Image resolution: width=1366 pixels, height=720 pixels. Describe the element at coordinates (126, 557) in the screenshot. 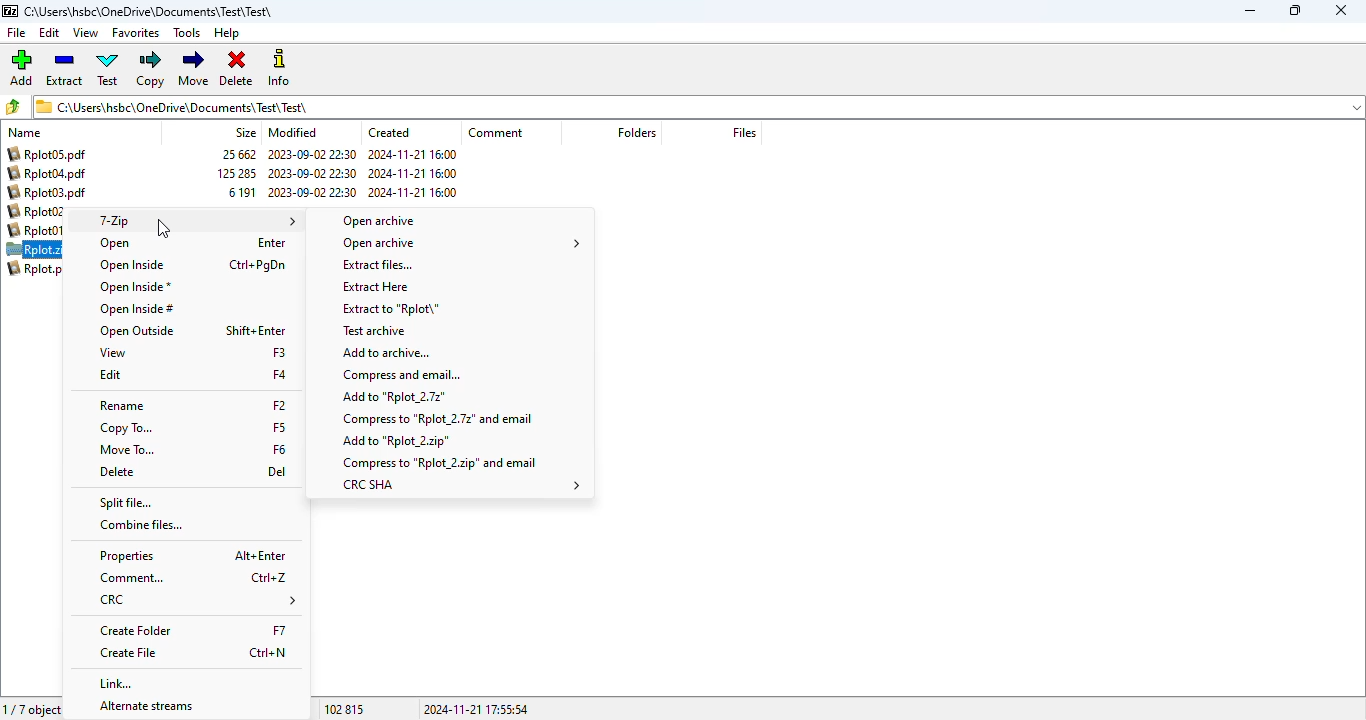

I see `properties` at that location.